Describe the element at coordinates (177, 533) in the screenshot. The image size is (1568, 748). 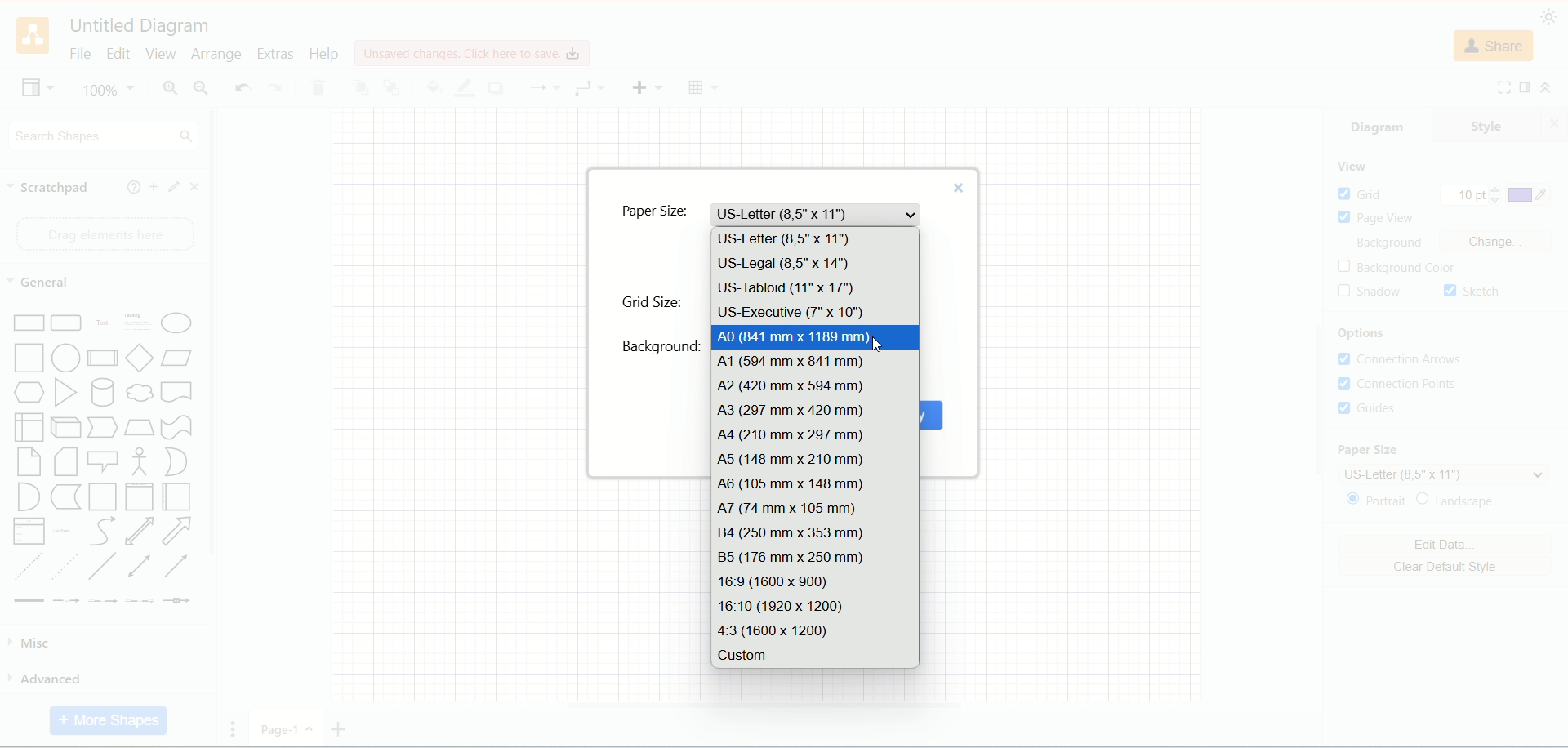
I see `Arrow` at that location.